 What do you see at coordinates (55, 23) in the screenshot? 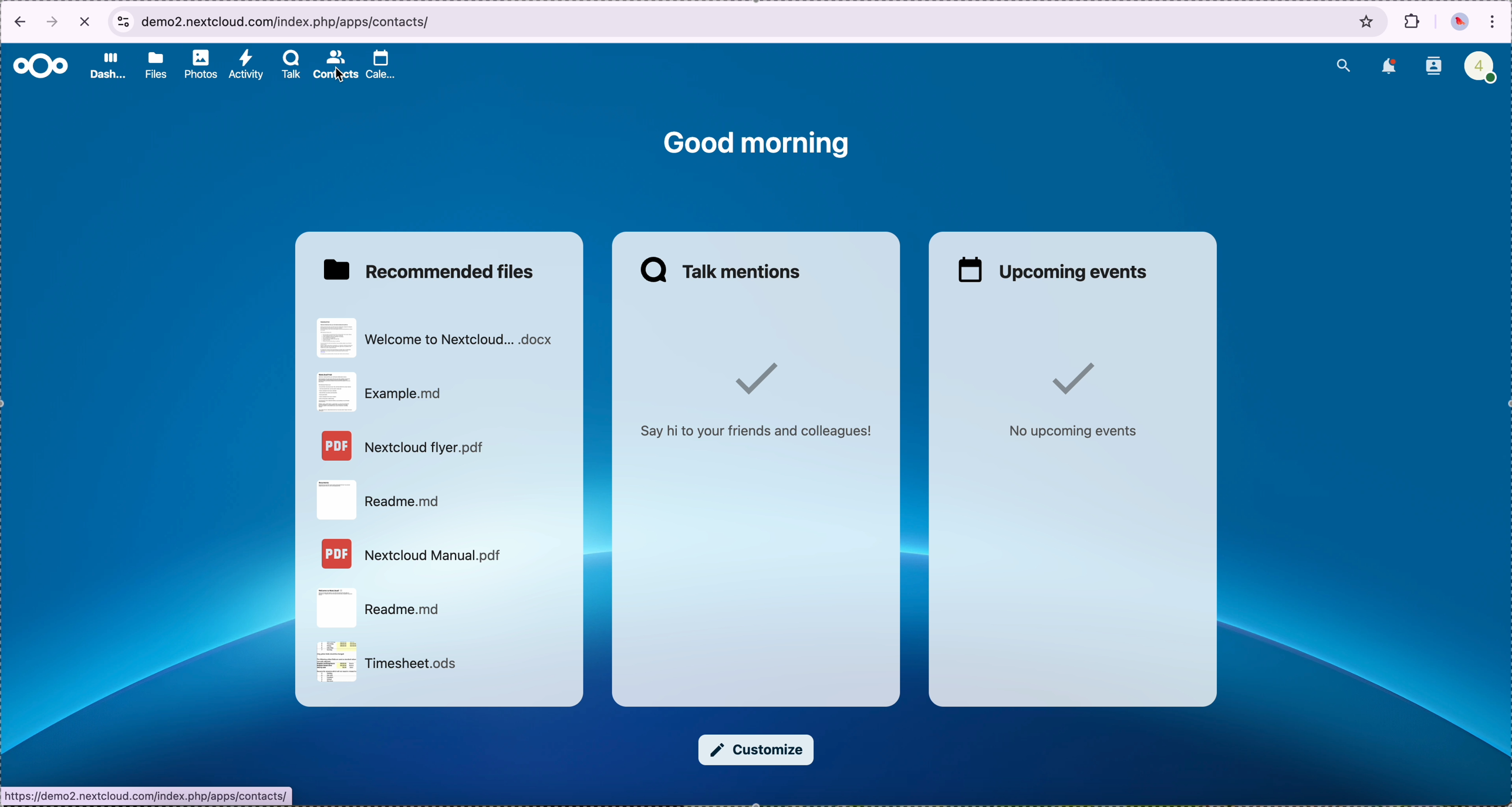
I see `navigate foward` at bounding box center [55, 23].